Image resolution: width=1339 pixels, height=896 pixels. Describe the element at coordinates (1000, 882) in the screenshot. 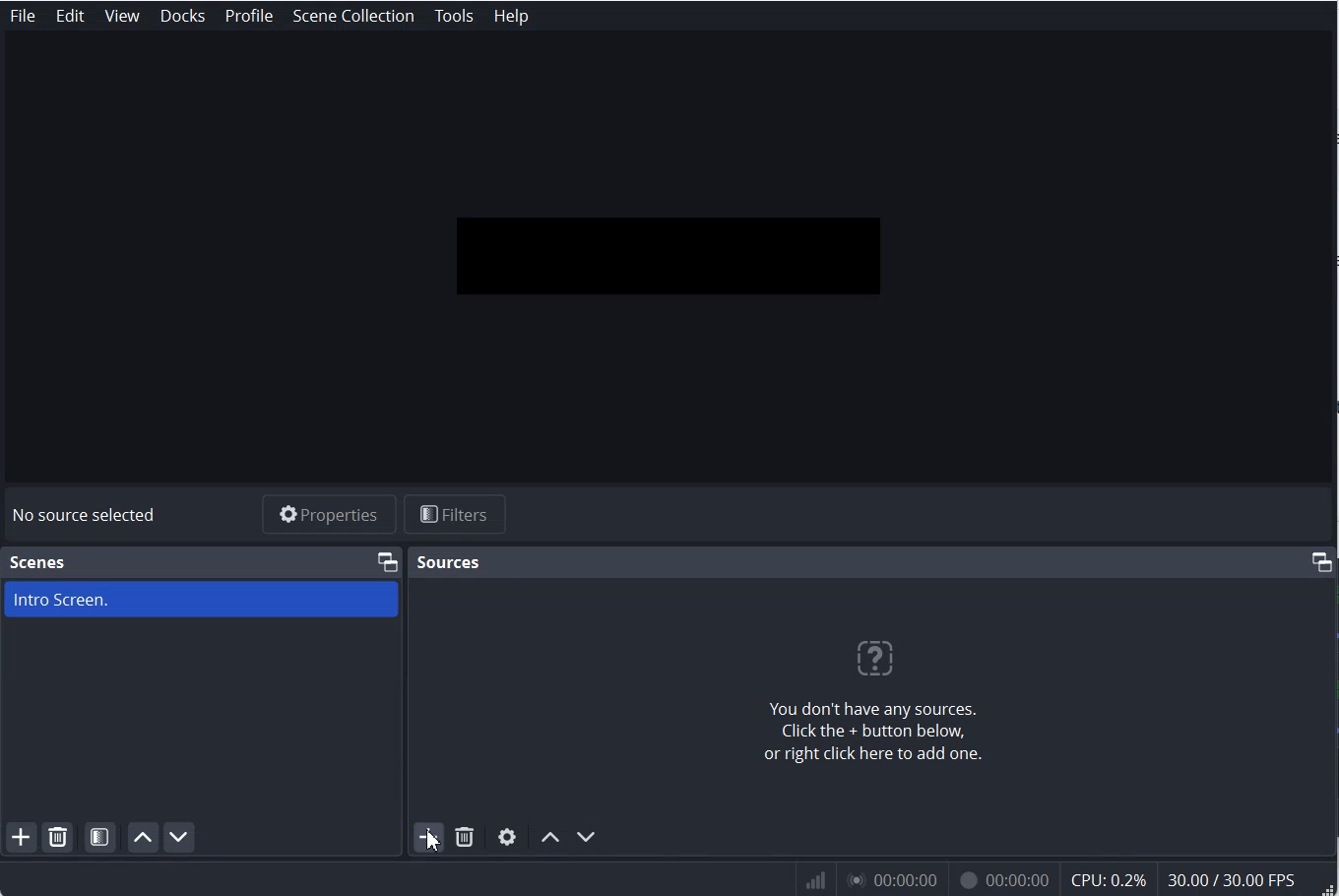

I see `00:00:00` at that location.